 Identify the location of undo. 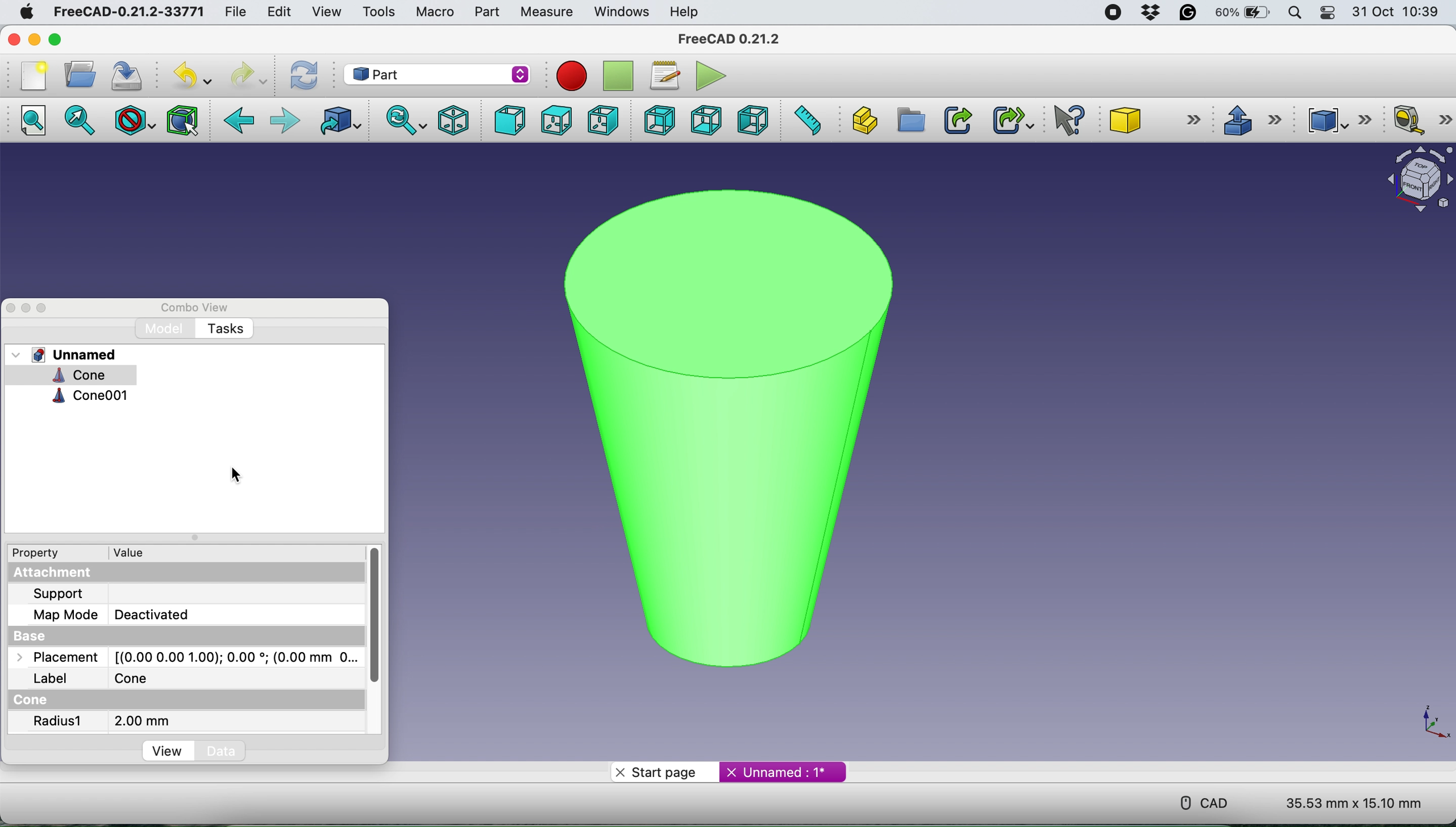
(188, 76).